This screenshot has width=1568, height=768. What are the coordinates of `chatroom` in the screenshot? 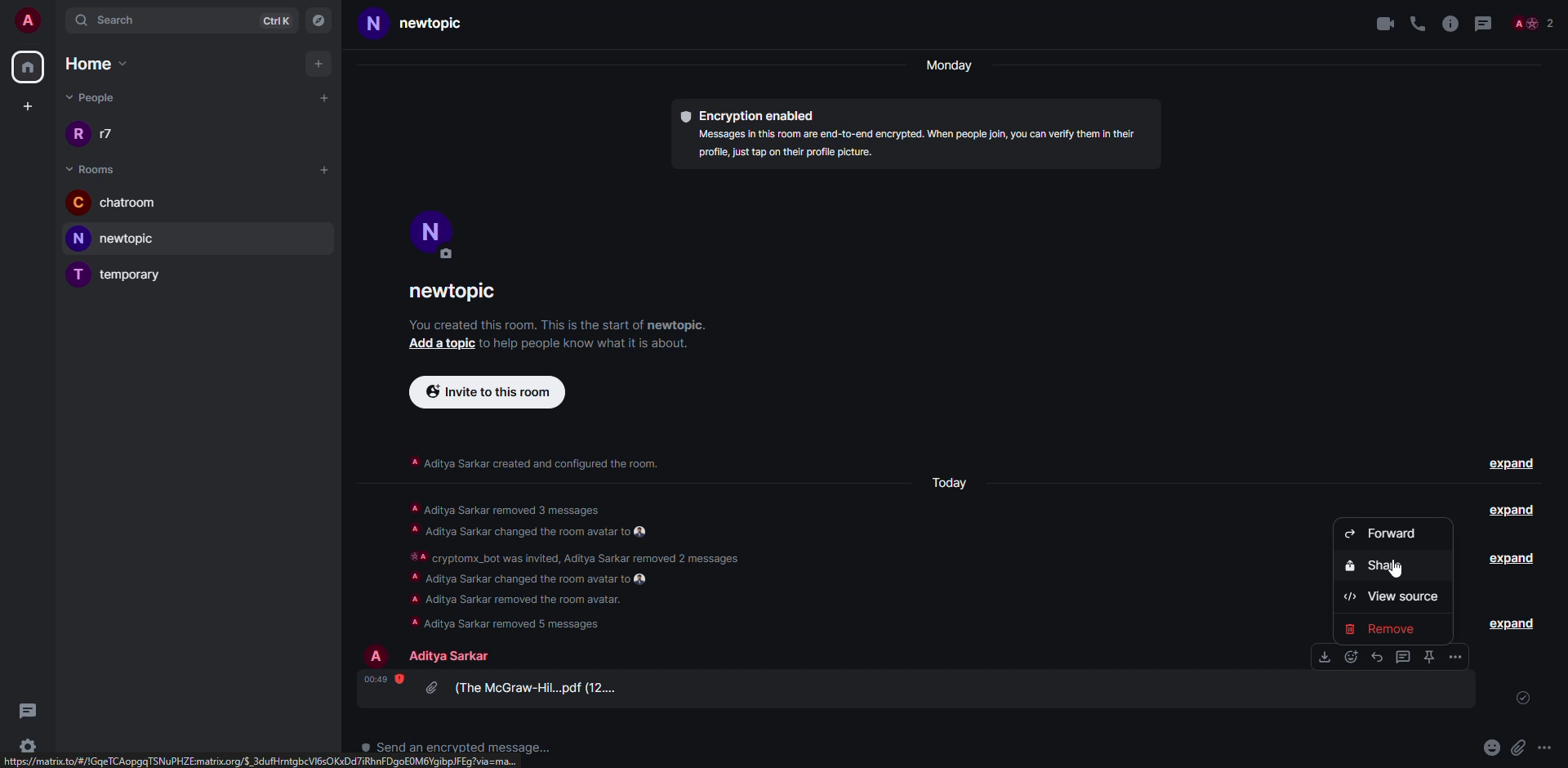 It's located at (121, 203).